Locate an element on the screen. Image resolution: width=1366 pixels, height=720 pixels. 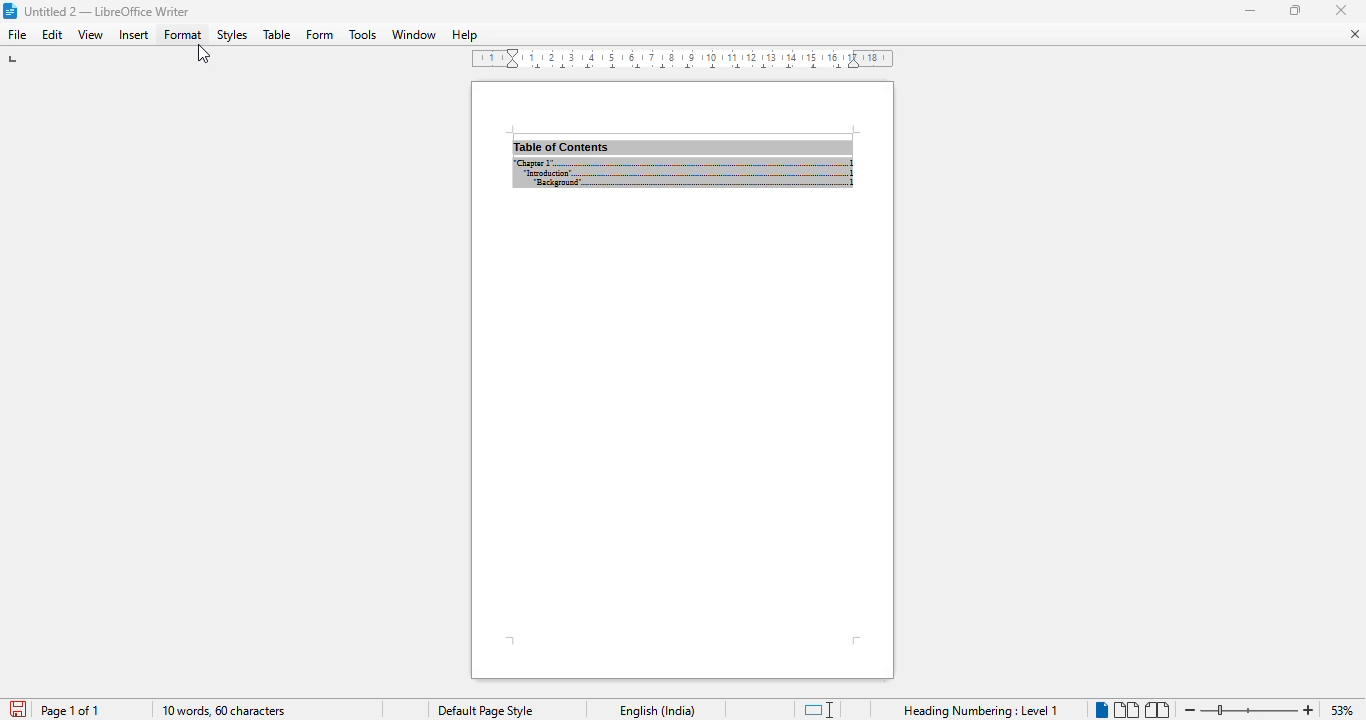
cursor is located at coordinates (203, 54).